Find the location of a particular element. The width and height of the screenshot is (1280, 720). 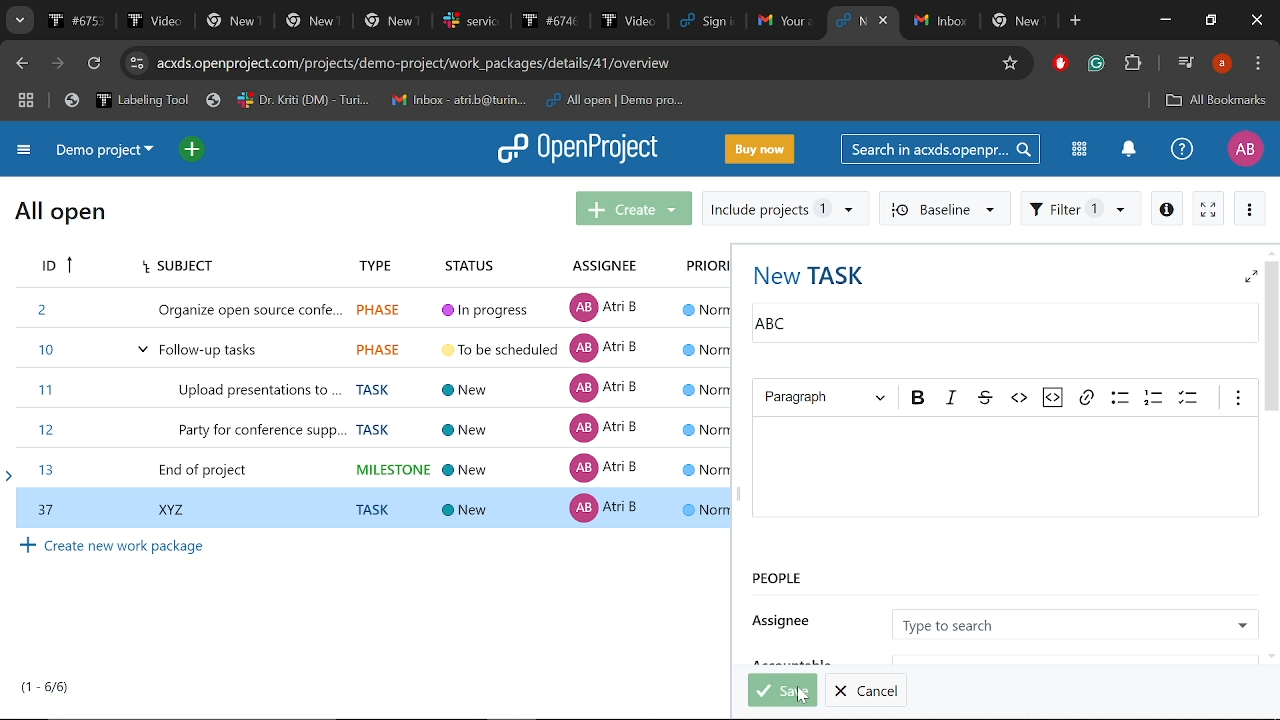

Open details view is located at coordinates (1166, 207).